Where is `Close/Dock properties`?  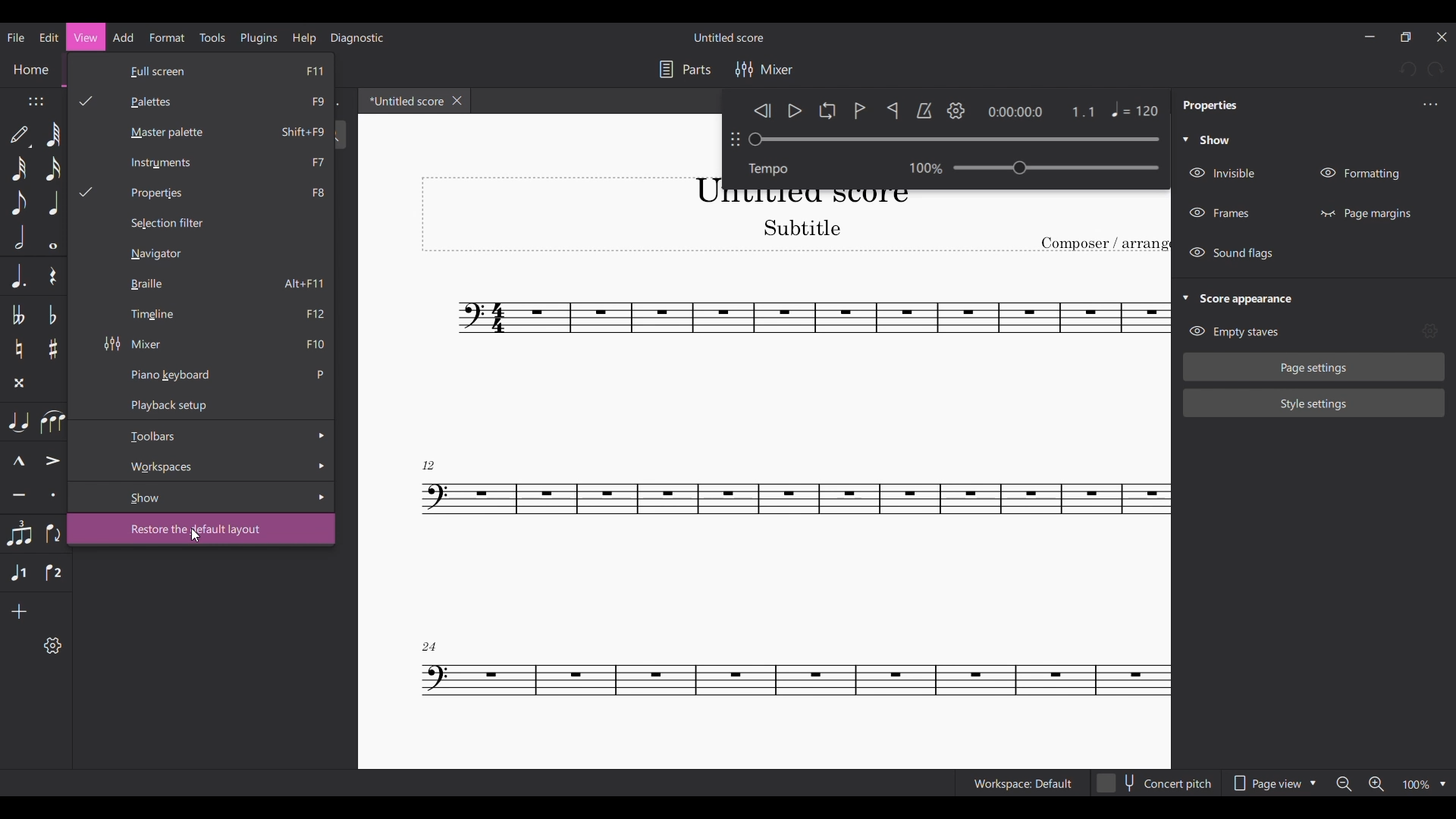
Close/Dock properties is located at coordinates (1431, 104).